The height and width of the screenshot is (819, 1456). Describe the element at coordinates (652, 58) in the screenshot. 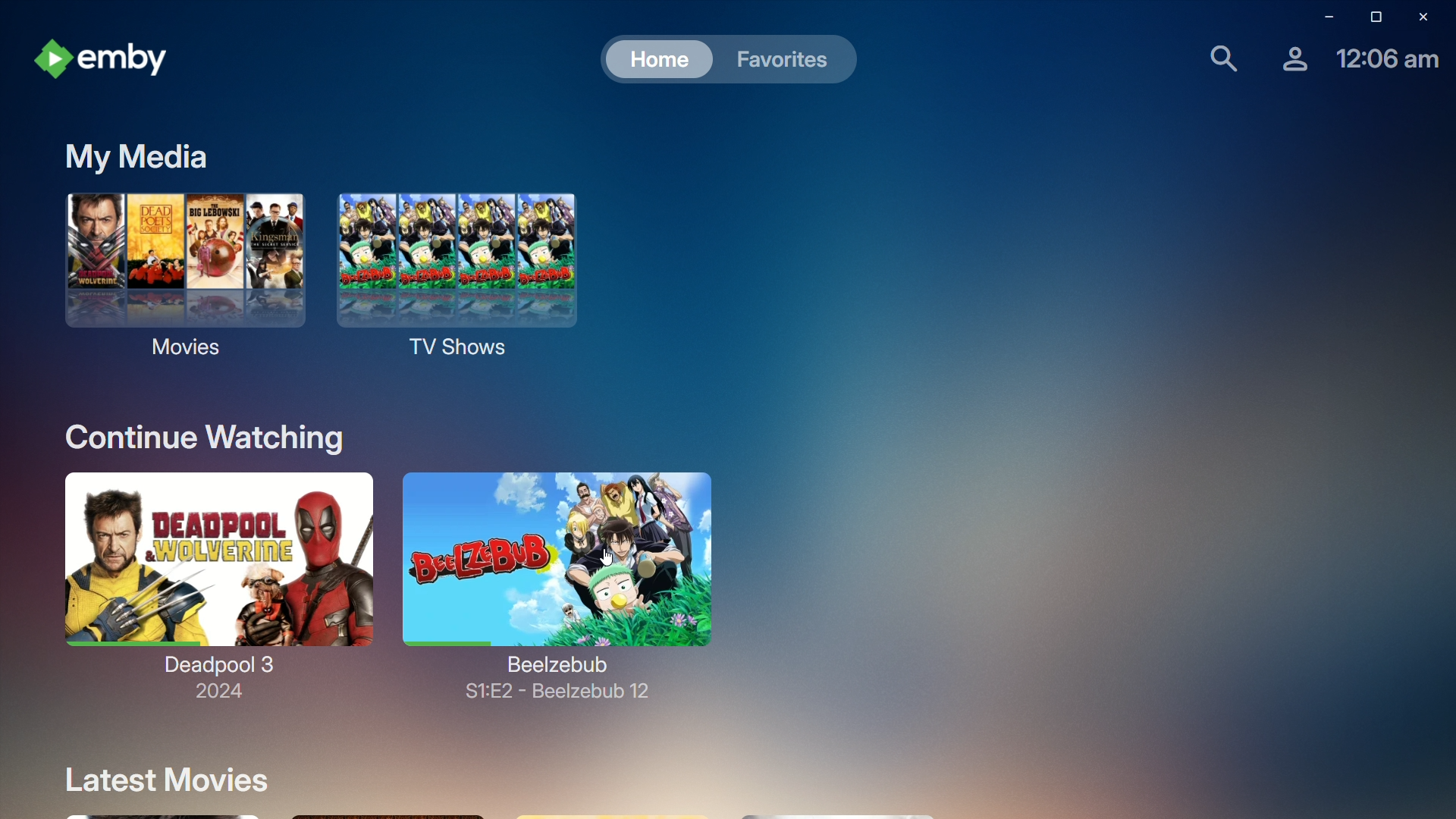

I see `Home` at that location.